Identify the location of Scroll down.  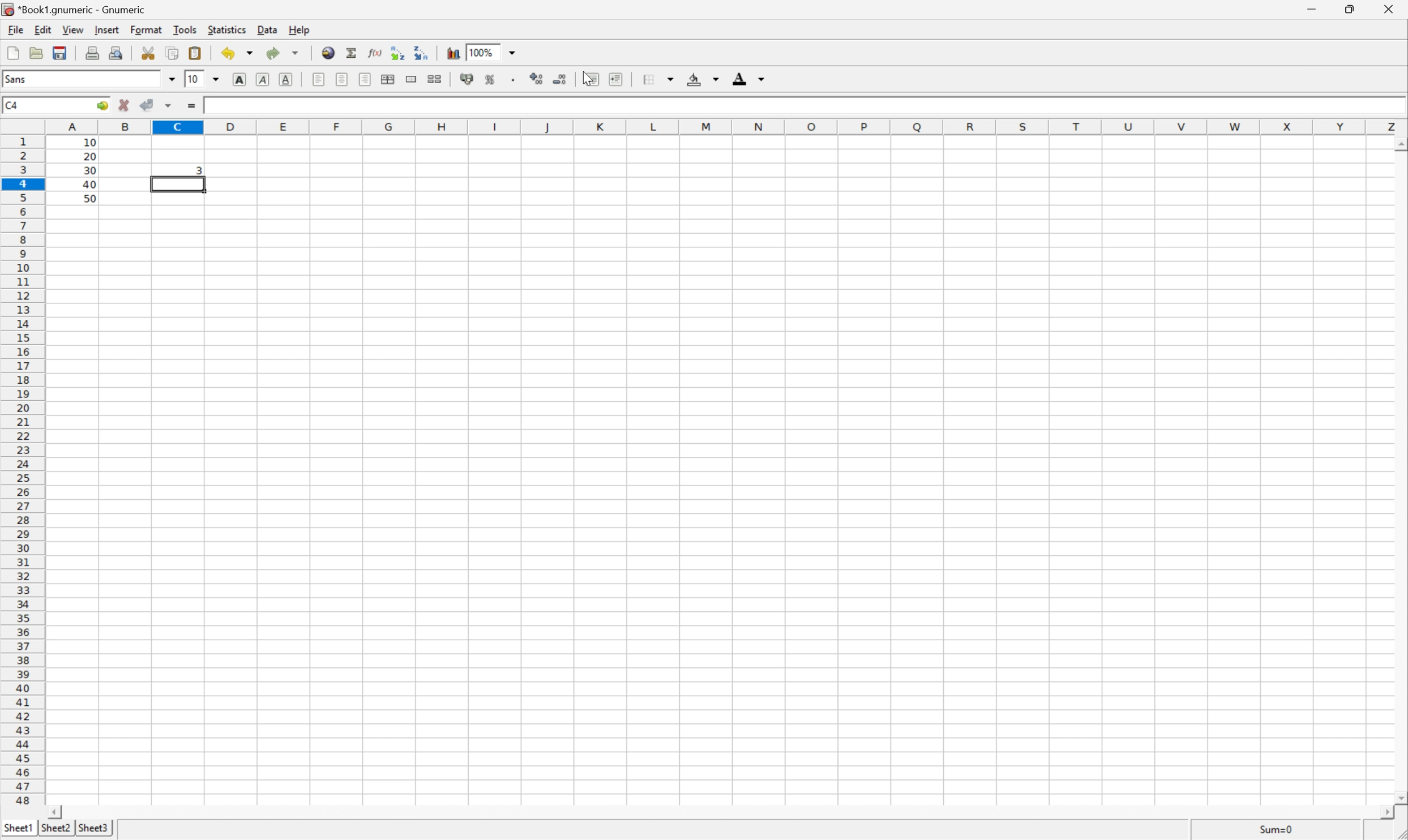
(1399, 797).